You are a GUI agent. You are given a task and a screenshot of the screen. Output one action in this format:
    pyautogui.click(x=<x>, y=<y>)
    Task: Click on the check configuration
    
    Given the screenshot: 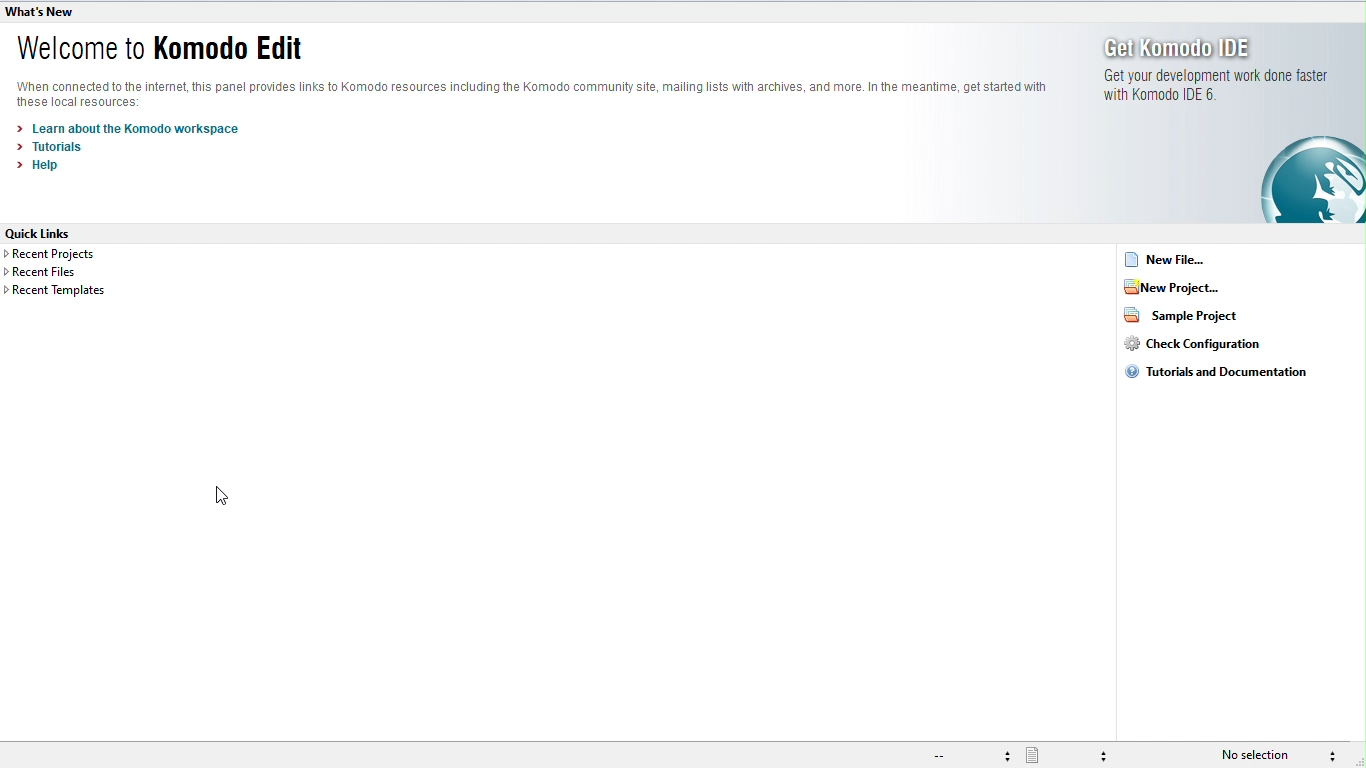 What is the action you would take?
    pyautogui.click(x=1220, y=344)
    